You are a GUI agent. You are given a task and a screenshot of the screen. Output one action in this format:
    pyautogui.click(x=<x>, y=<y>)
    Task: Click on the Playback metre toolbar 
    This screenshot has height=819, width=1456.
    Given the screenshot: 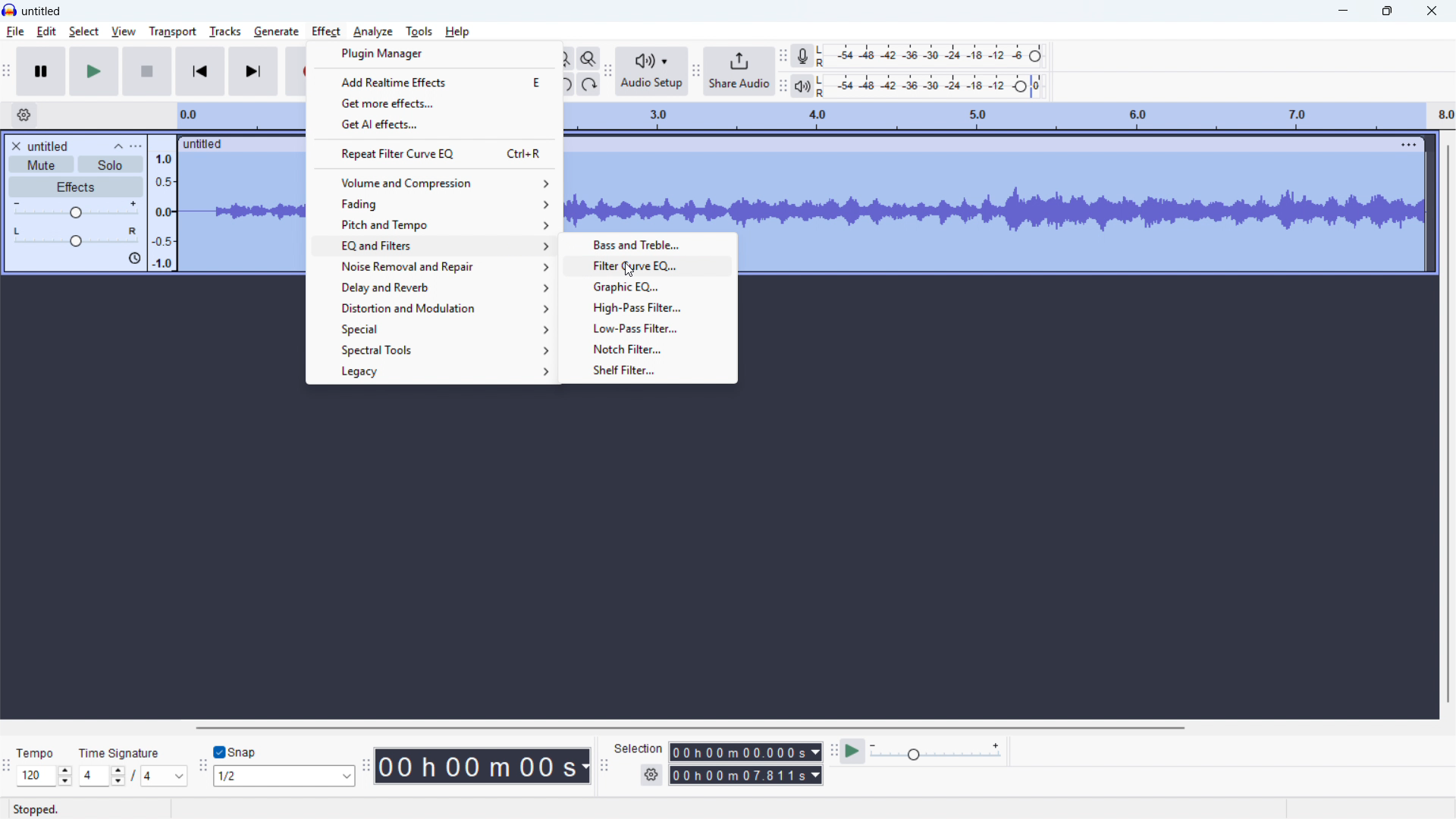 What is the action you would take?
    pyautogui.click(x=782, y=88)
    